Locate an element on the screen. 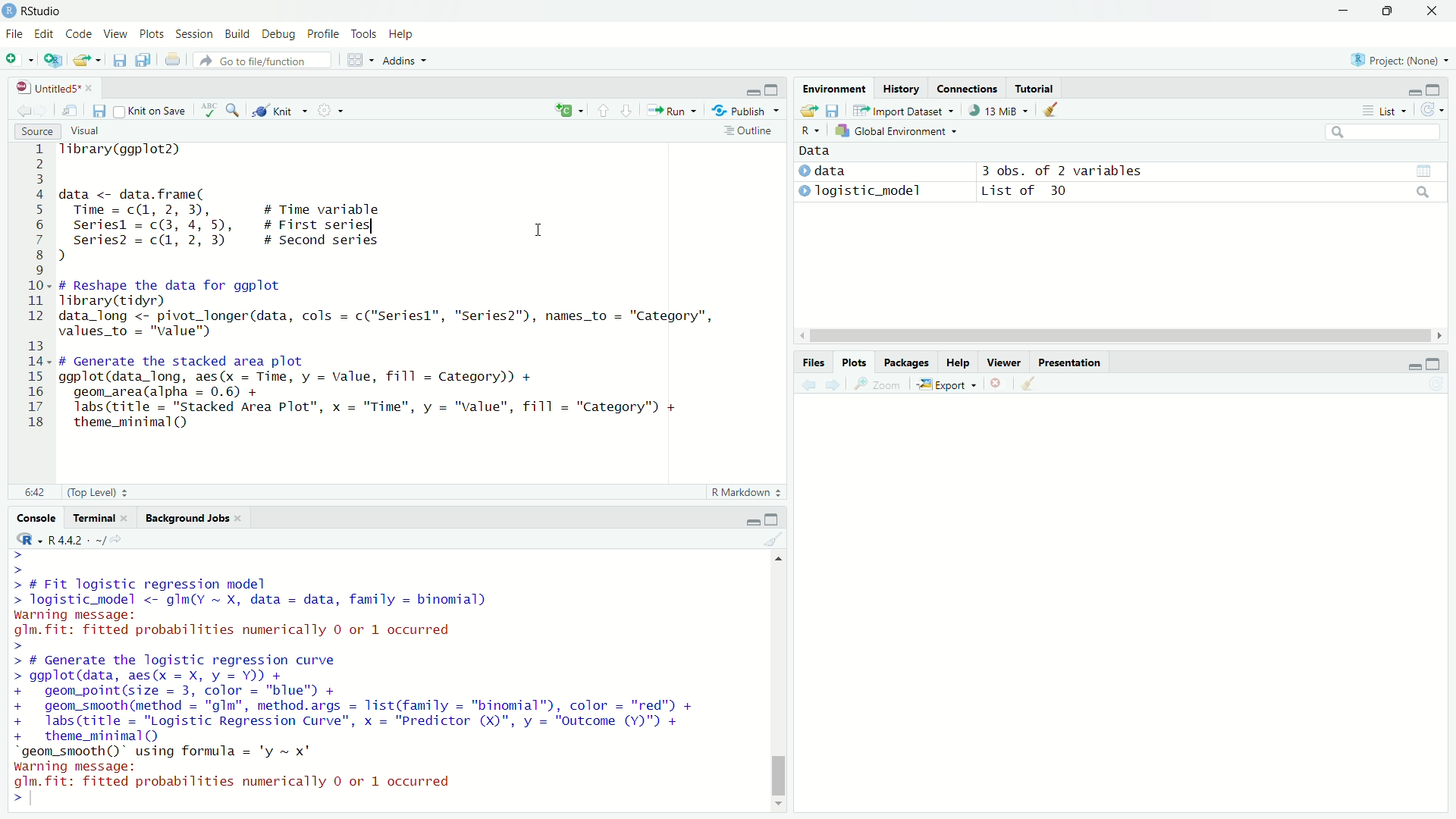  clear is located at coordinates (1053, 110).